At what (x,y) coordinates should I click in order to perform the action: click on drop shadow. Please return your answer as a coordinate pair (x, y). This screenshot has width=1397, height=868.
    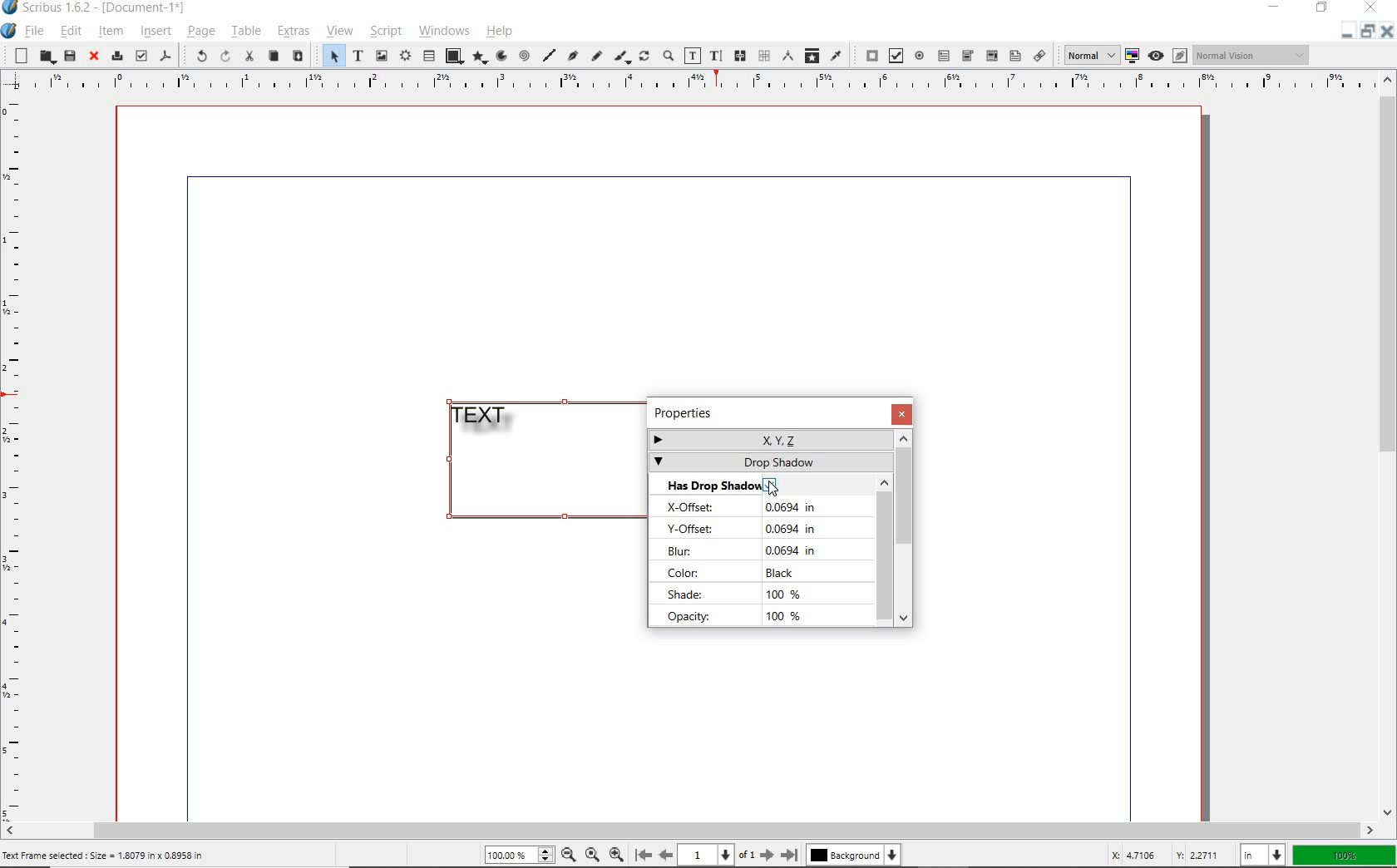
    Looking at the image, I should click on (768, 462).